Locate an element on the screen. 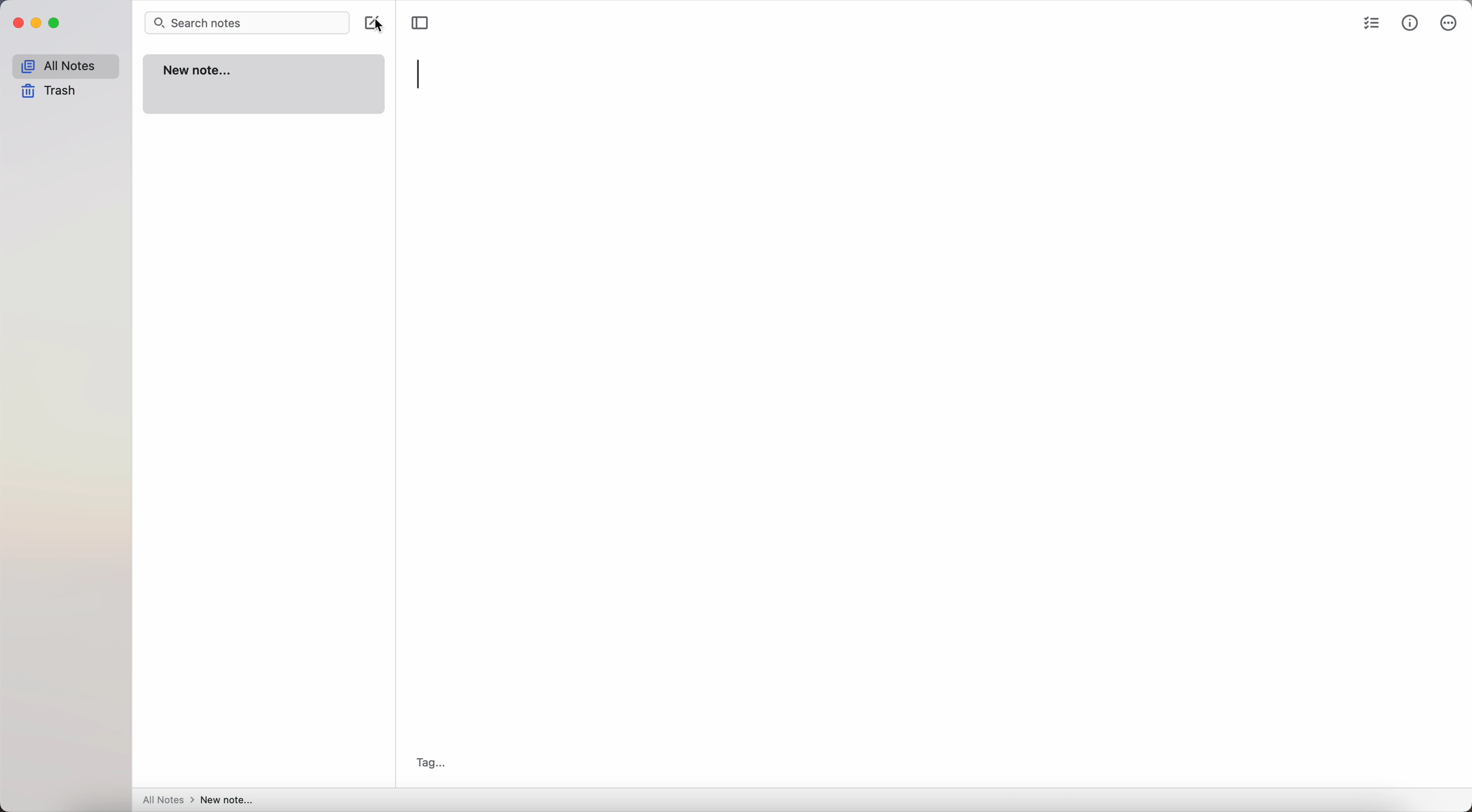 The height and width of the screenshot is (812, 1472). cursor is located at coordinates (386, 27).